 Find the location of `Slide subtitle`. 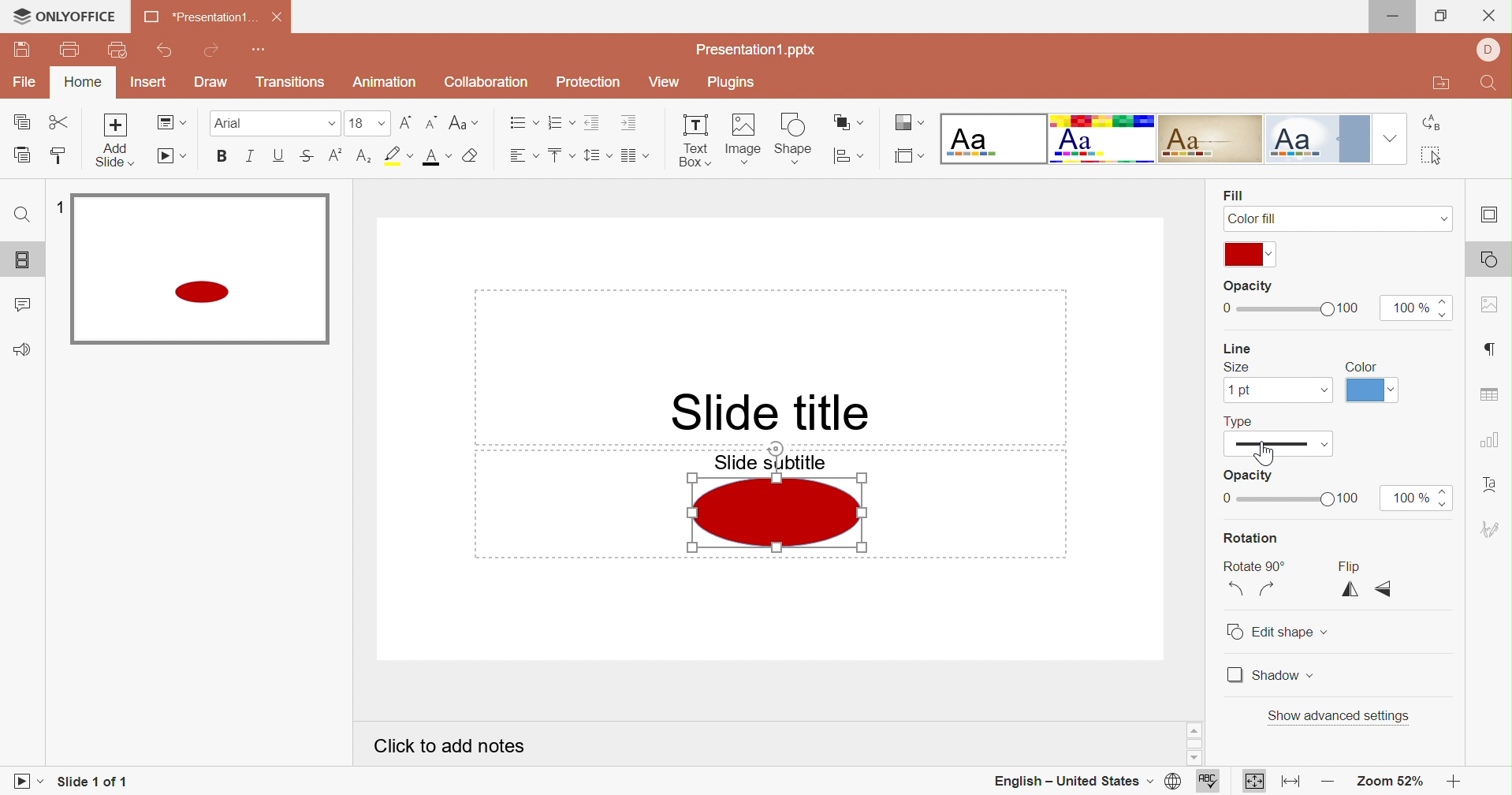

Slide subtitle is located at coordinates (770, 460).